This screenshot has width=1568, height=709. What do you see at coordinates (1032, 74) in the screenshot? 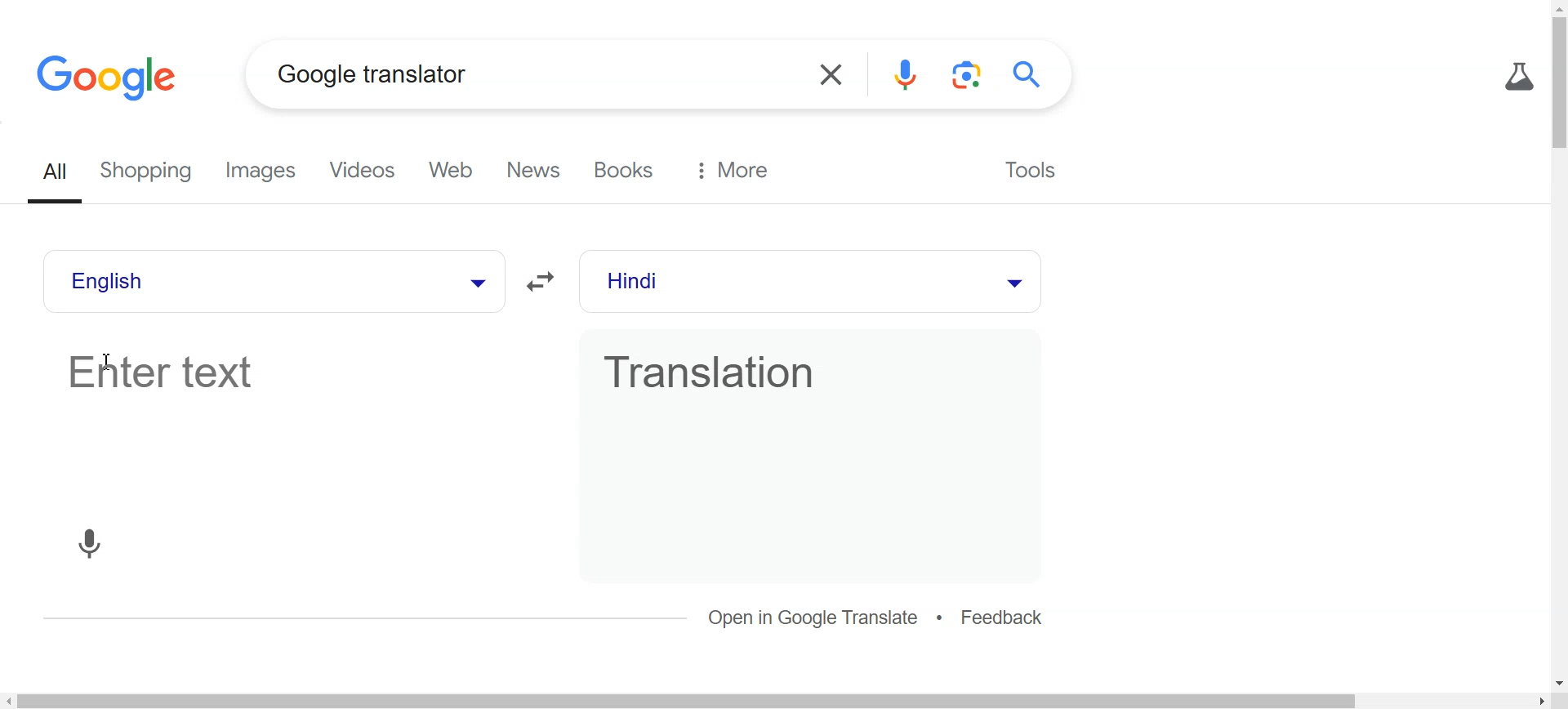
I see `Search` at bounding box center [1032, 74].